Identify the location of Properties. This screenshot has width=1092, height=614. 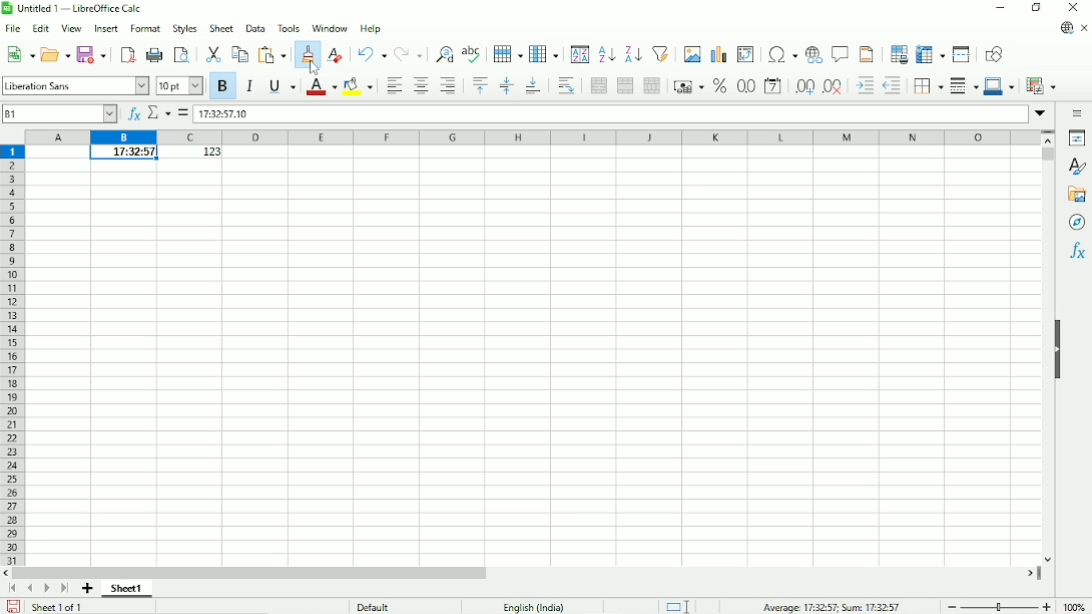
(1074, 138).